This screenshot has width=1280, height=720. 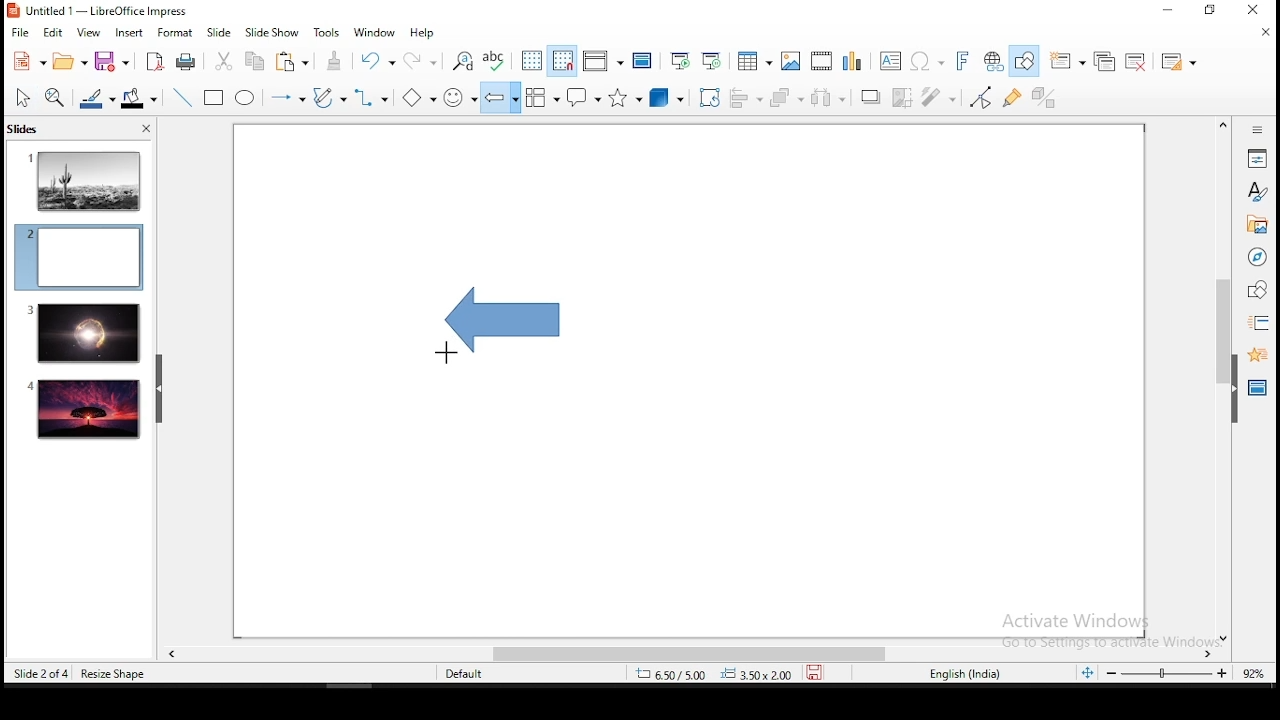 What do you see at coordinates (335, 61) in the screenshot?
I see `clone formatting` at bounding box center [335, 61].